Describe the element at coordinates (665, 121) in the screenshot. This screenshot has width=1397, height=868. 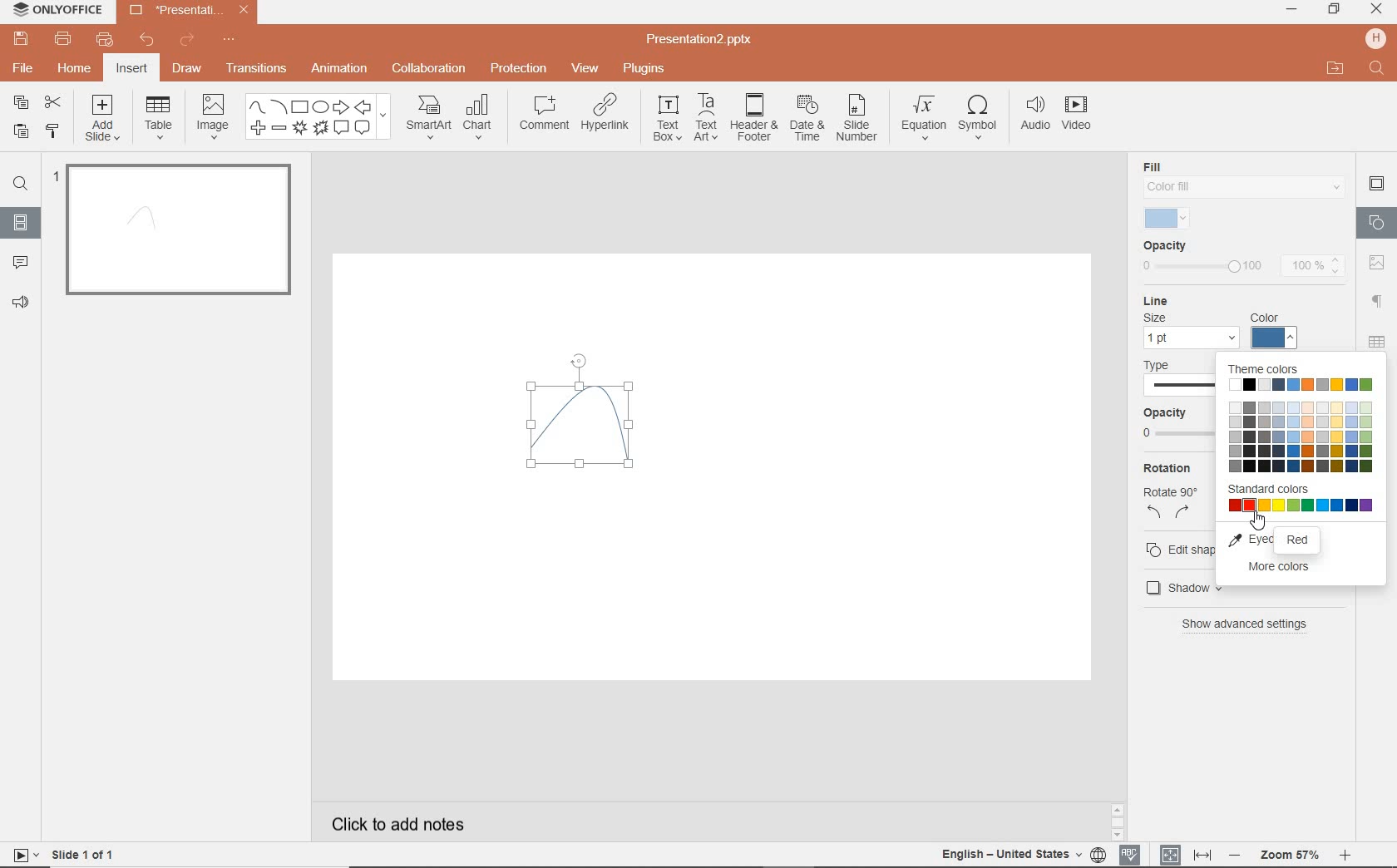
I see `TEXT BOX` at that location.